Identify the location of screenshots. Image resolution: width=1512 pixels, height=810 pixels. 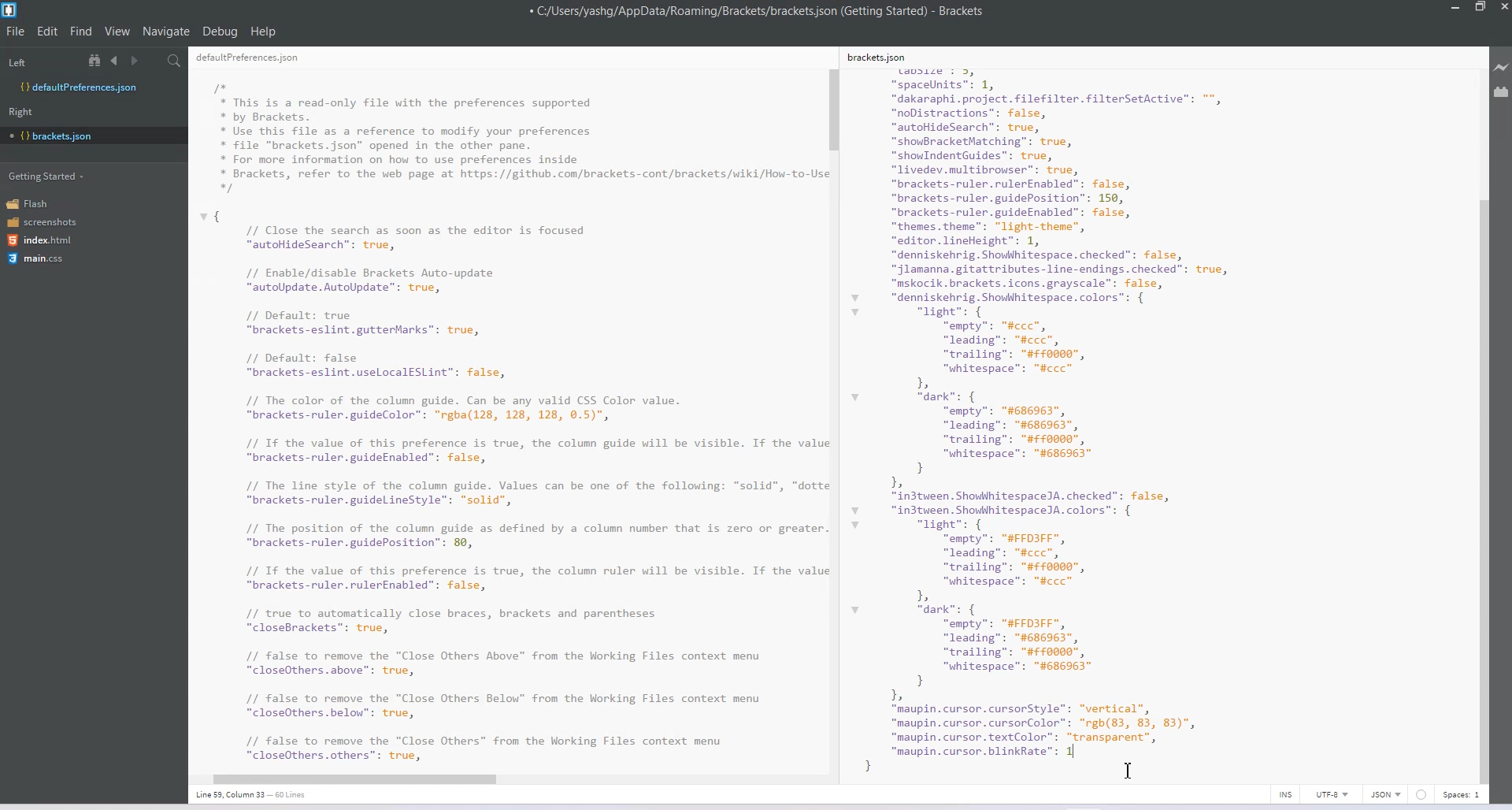
(43, 223).